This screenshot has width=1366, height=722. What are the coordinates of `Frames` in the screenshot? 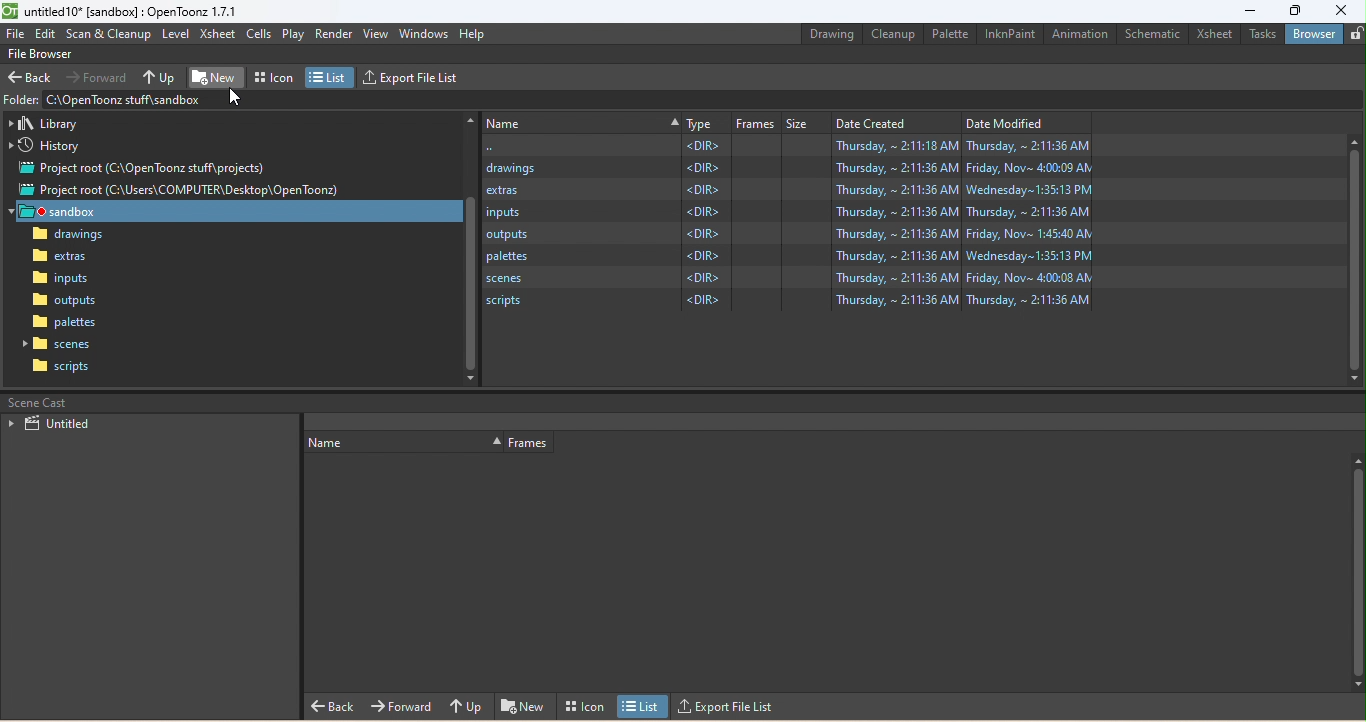 It's located at (757, 124).